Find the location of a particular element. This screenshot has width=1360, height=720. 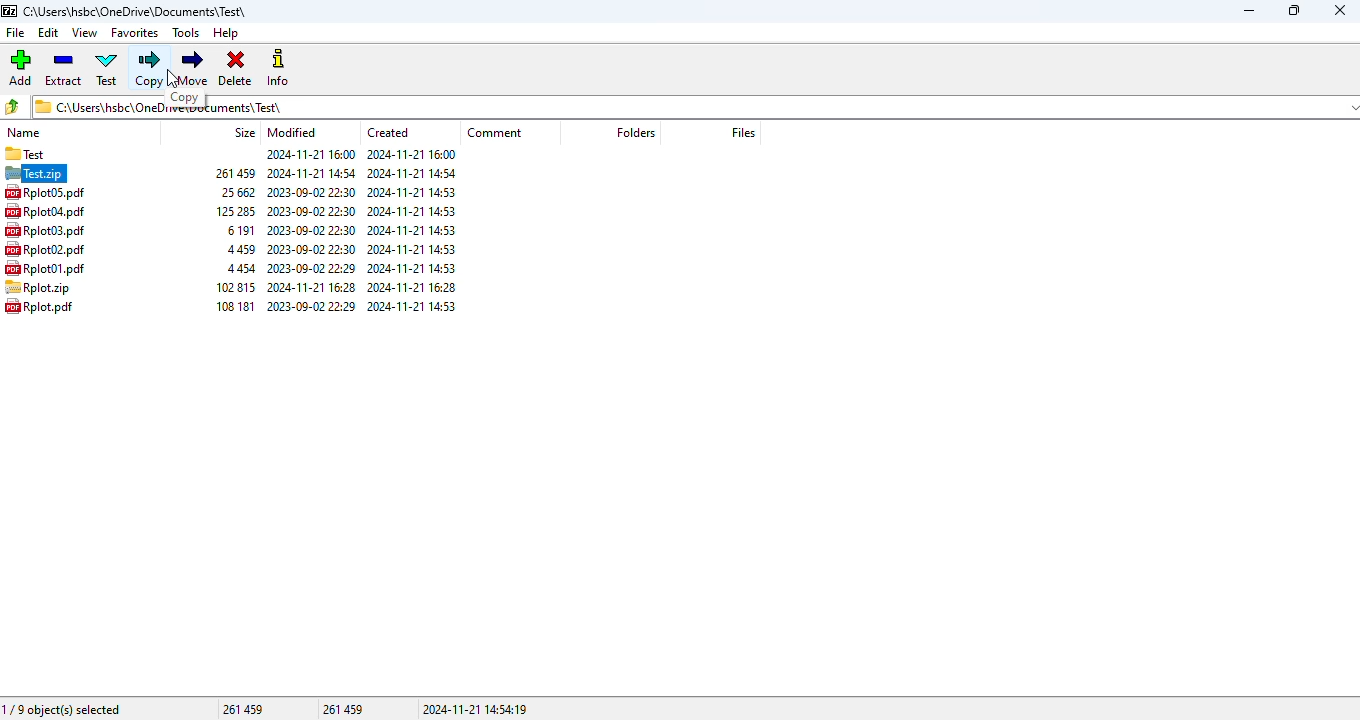

current folder is located at coordinates (694, 115).